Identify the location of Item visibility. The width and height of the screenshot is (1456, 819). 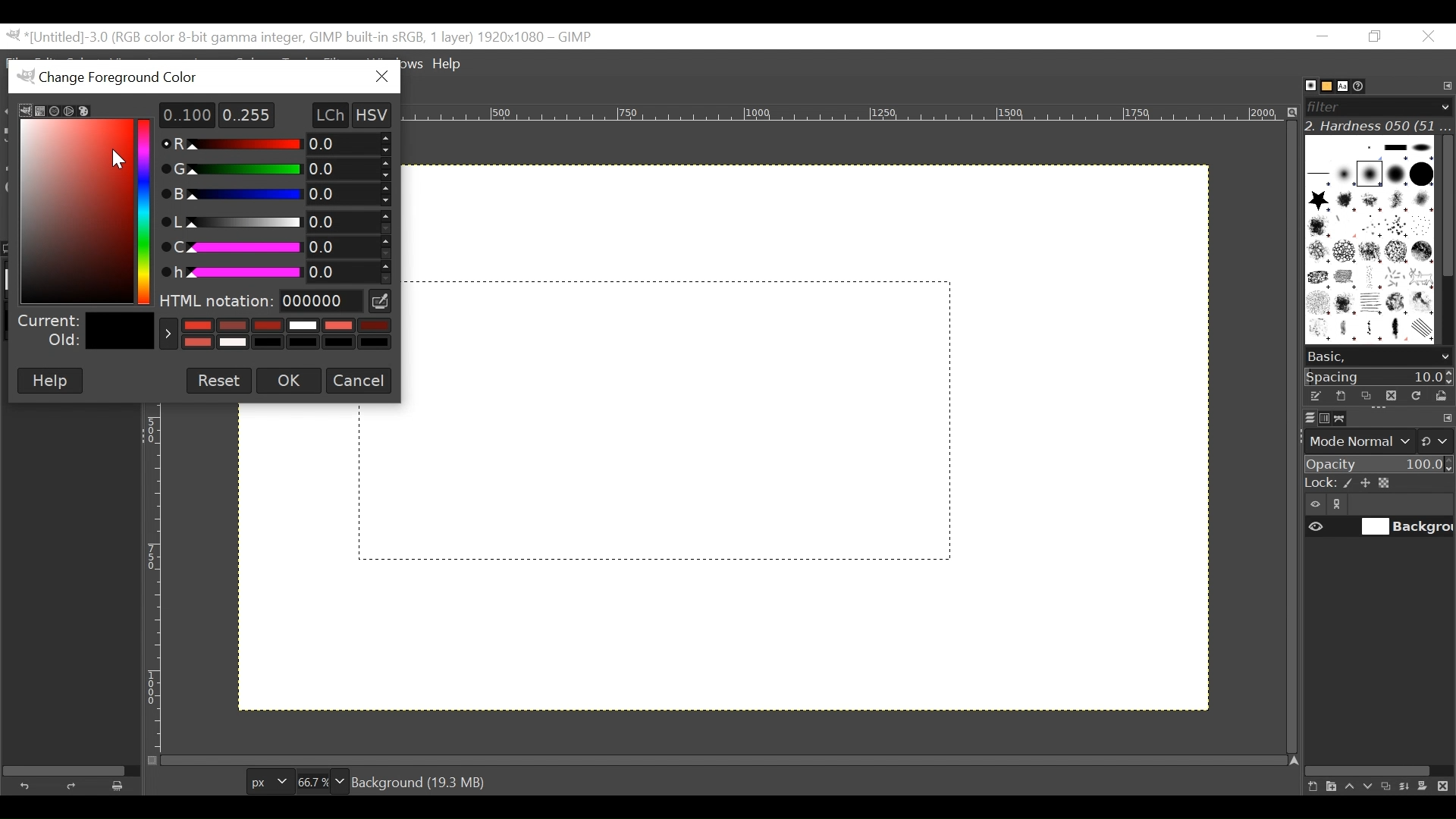
(1316, 505).